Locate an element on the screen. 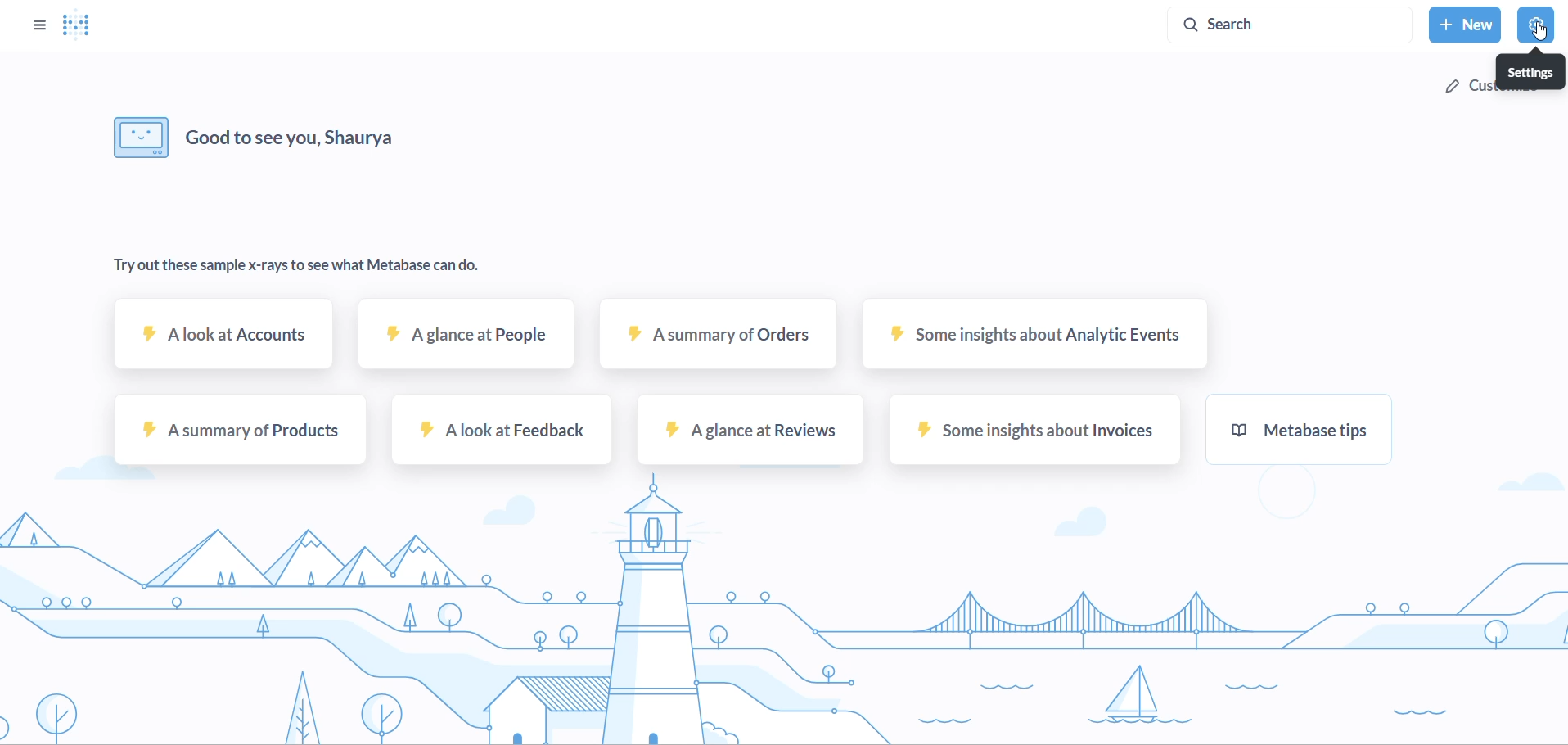  METABASE LOGO is located at coordinates (82, 25).